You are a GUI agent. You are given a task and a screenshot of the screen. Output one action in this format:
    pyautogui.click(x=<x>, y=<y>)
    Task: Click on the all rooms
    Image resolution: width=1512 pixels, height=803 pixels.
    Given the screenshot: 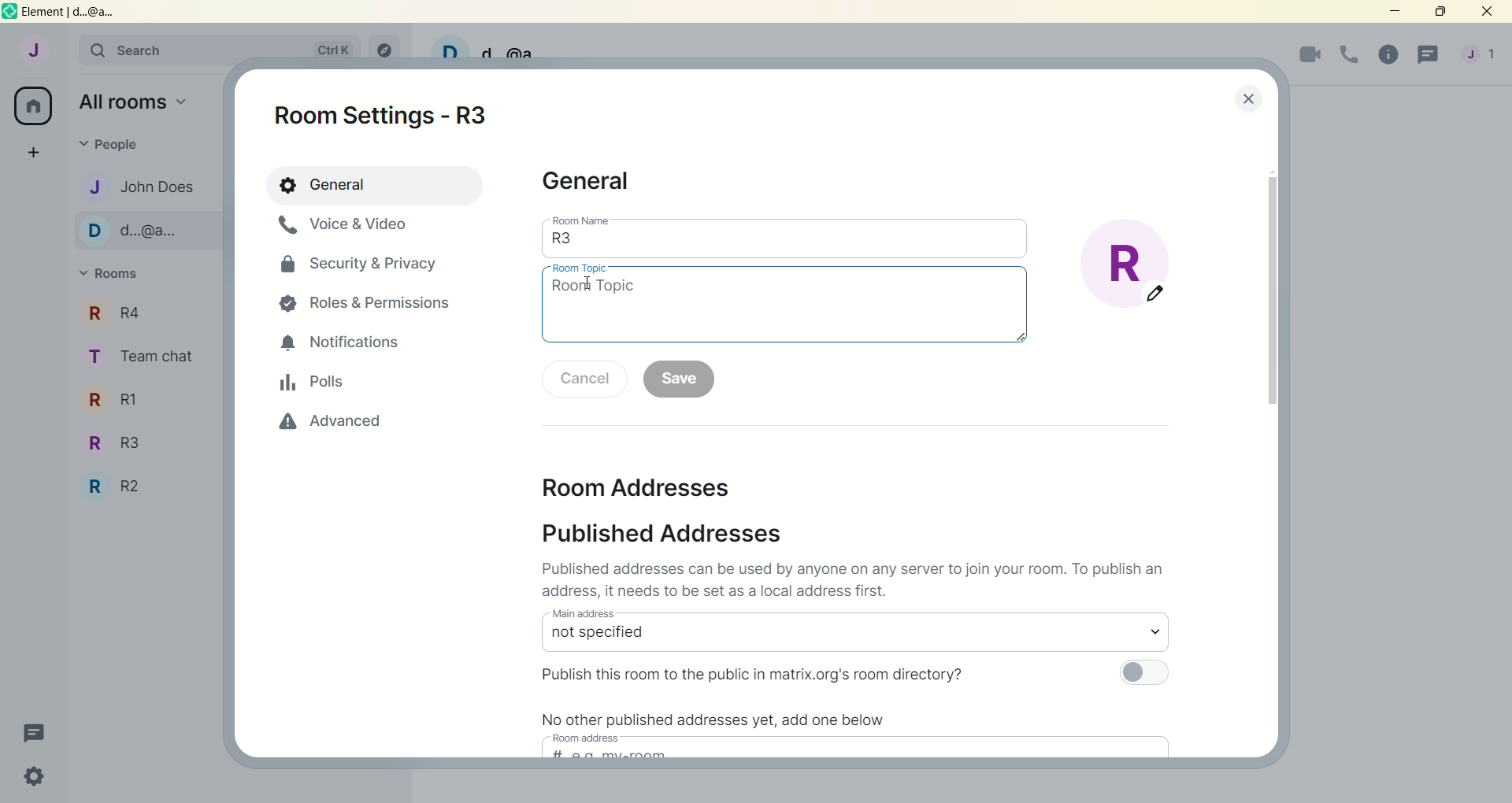 What is the action you would take?
    pyautogui.click(x=35, y=105)
    